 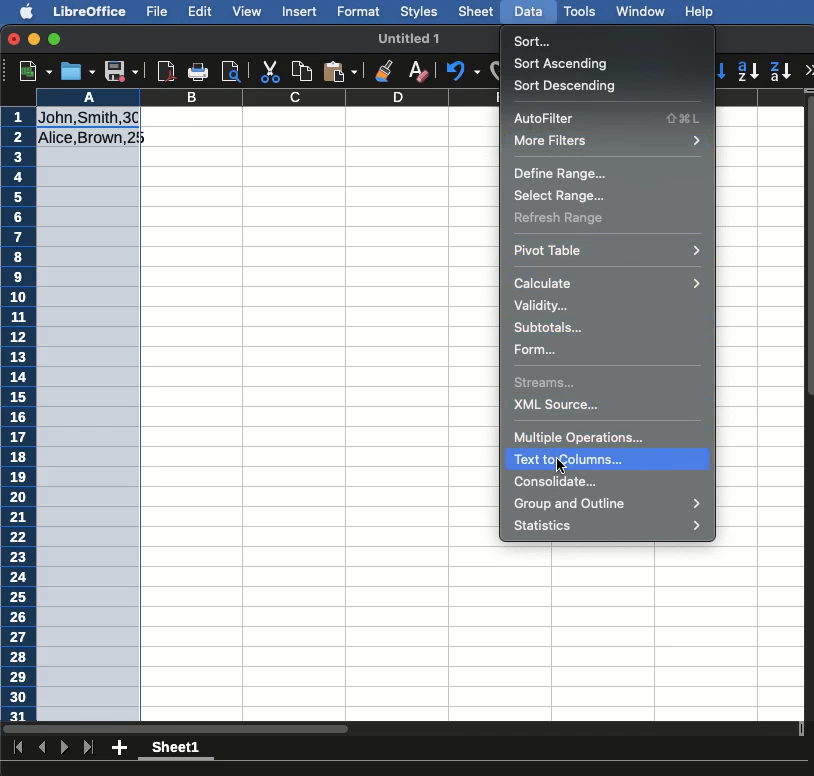 I want to click on Undo, so click(x=465, y=70).